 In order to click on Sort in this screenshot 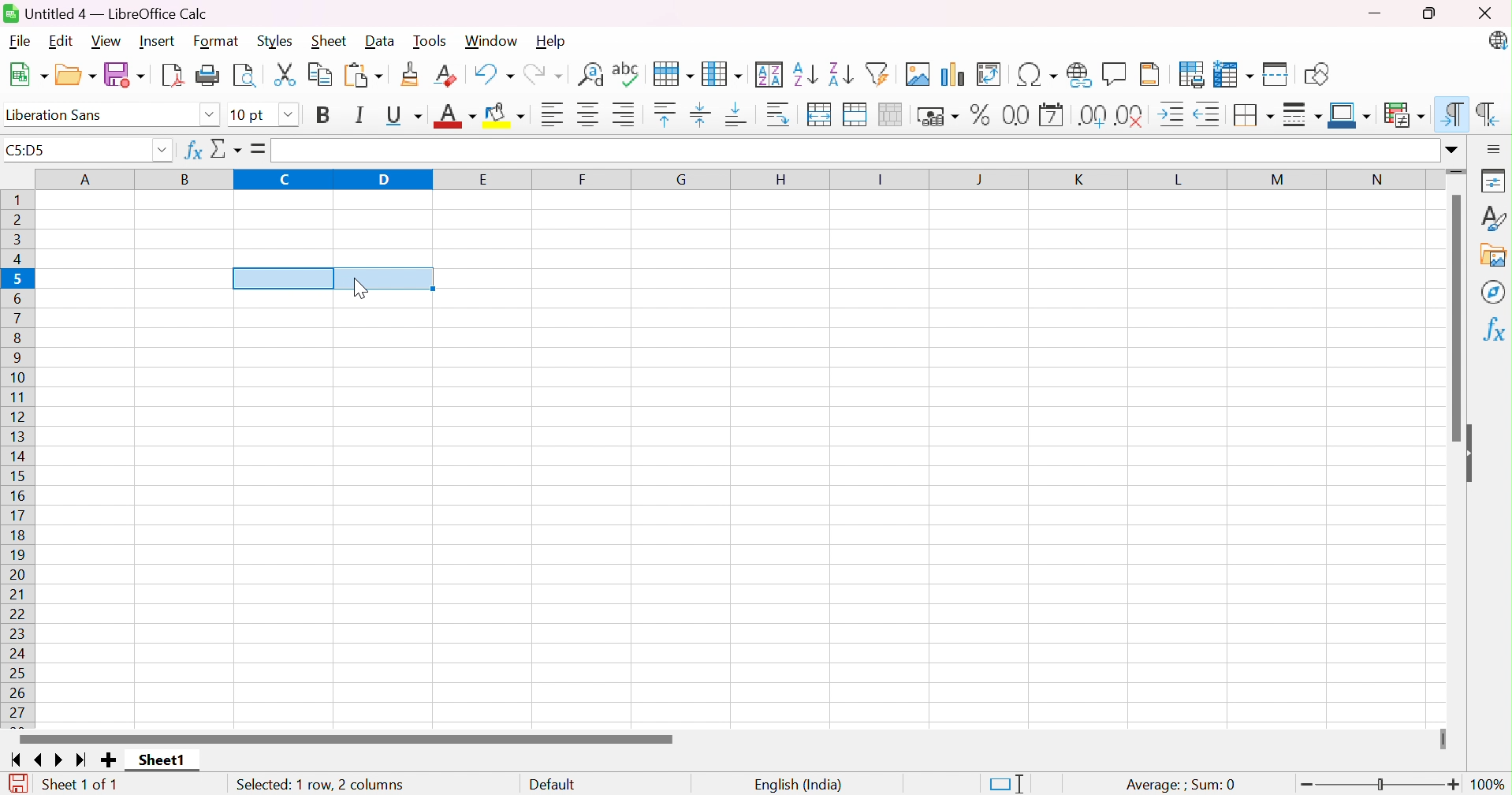, I will do `click(771, 73)`.